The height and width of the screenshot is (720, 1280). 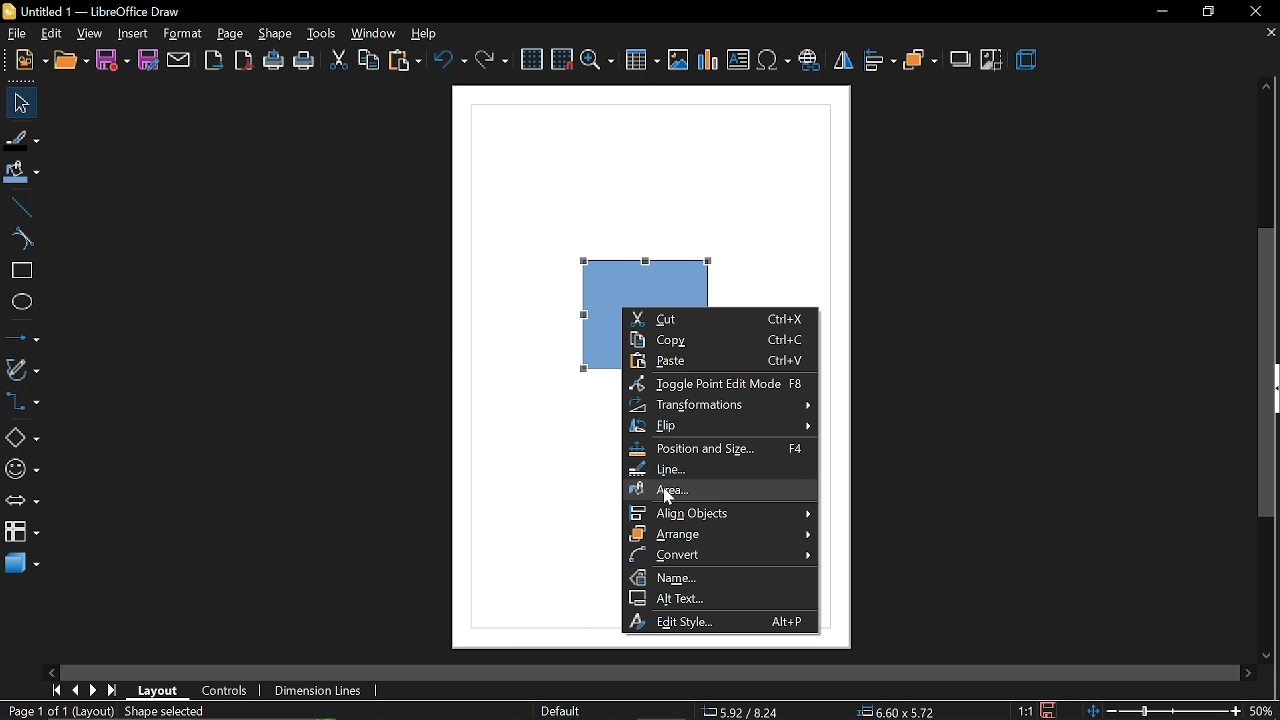 I want to click on undo, so click(x=450, y=62).